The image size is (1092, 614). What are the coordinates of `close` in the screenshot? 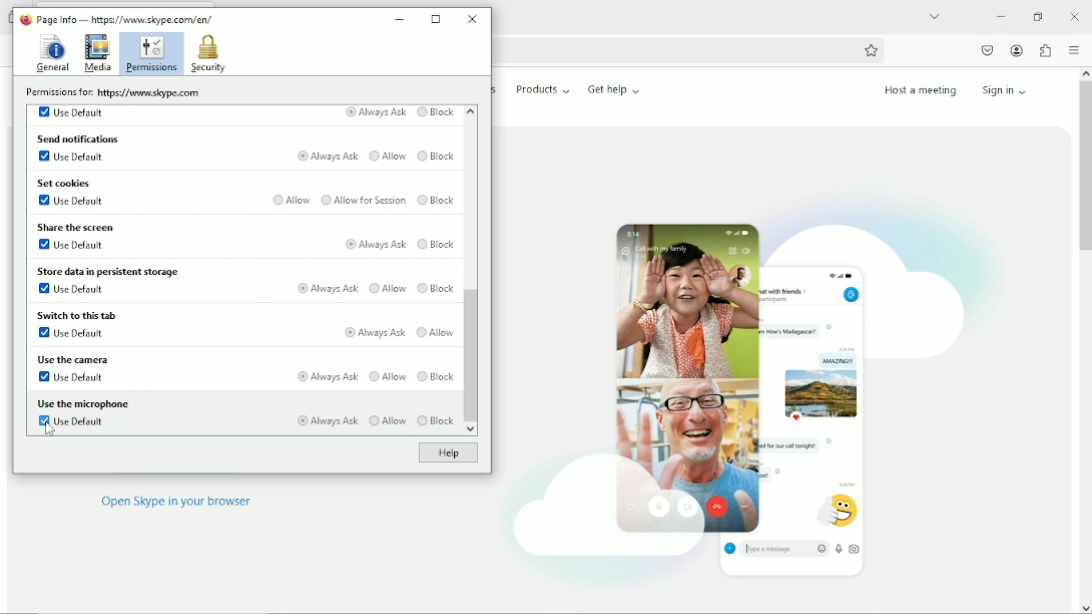 It's located at (1075, 16).